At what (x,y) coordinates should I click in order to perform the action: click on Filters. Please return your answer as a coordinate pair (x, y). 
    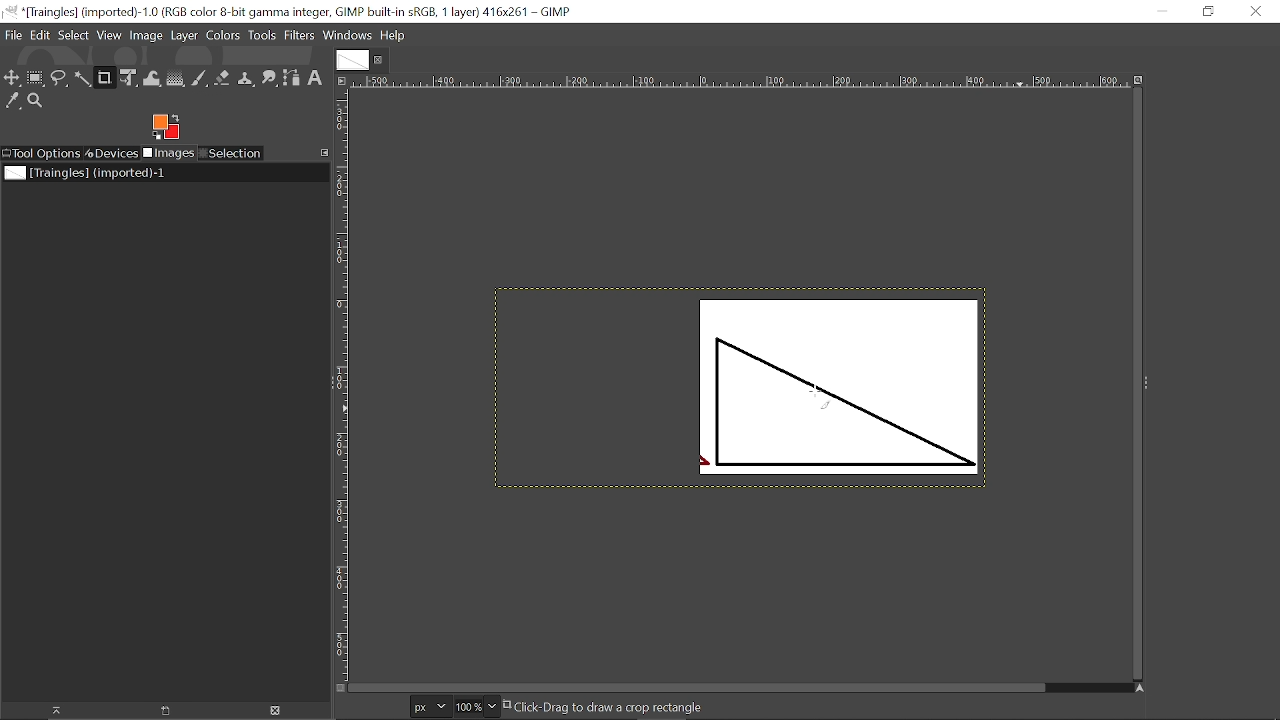
    Looking at the image, I should click on (299, 36).